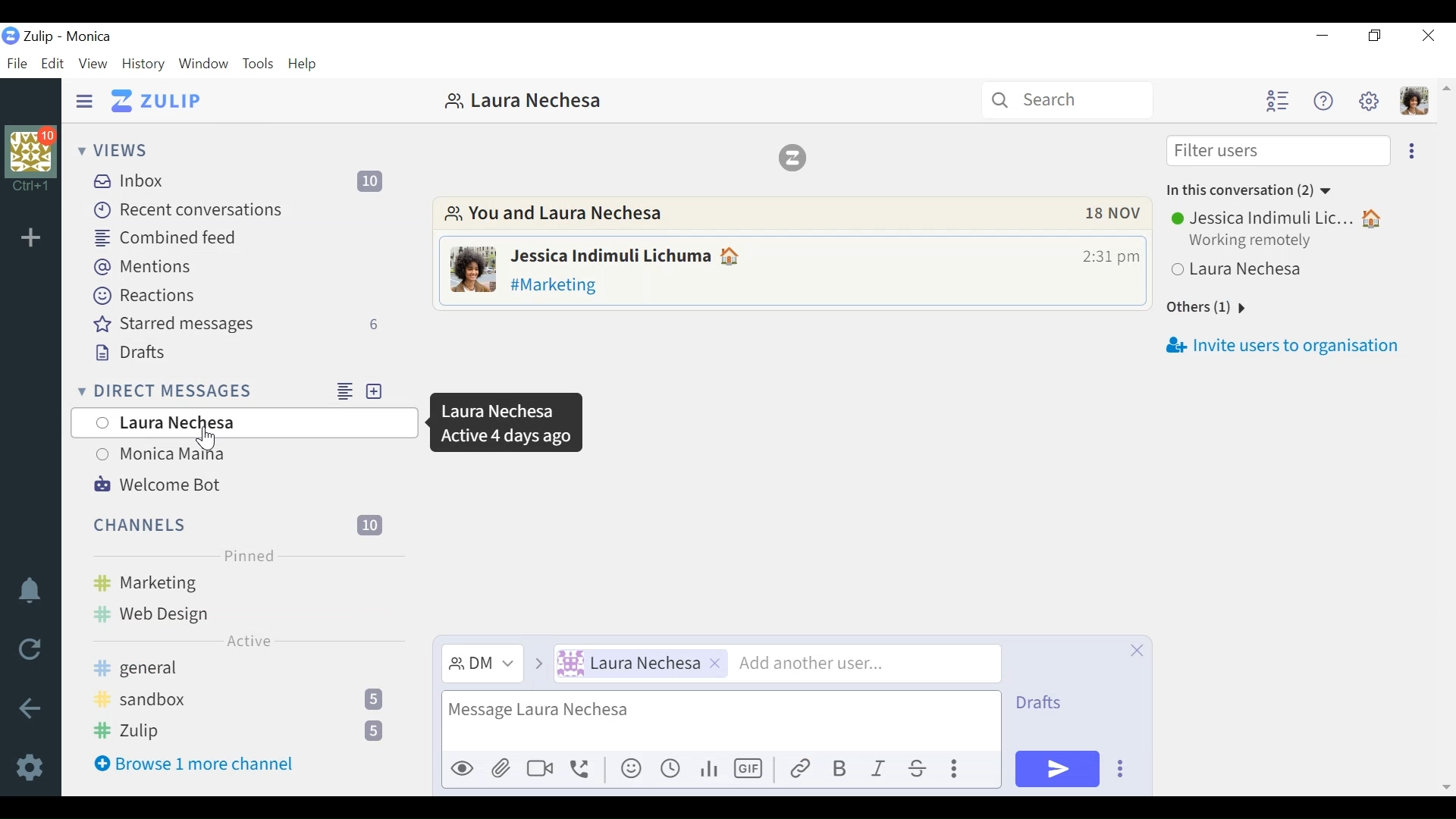  What do you see at coordinates (481, 664) in the screenshot?
I see `Direct message` at bounding box center [481, 664].